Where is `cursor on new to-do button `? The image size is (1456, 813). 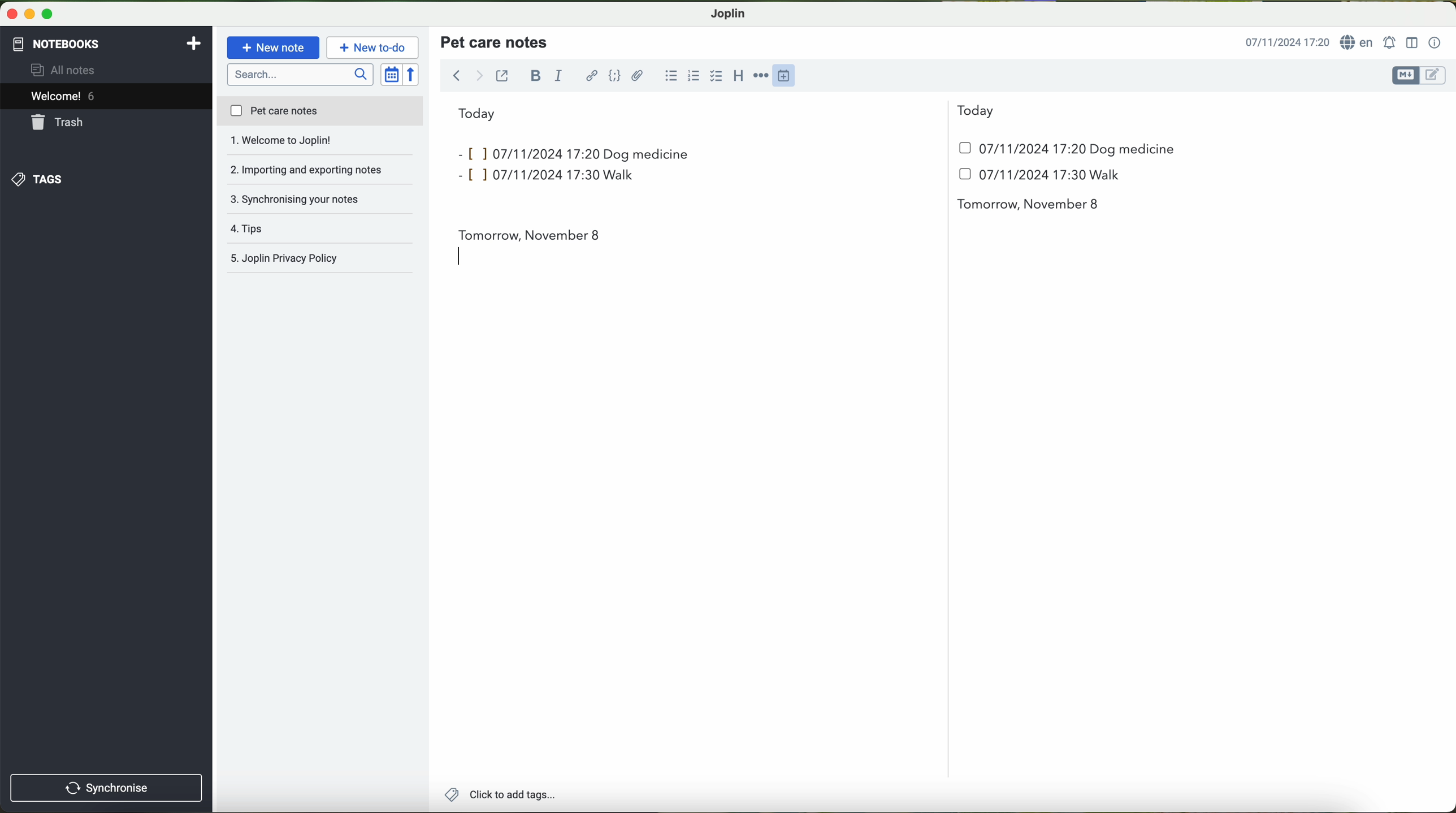 cursor on new to-do button  is located at coordinates (374, 48).